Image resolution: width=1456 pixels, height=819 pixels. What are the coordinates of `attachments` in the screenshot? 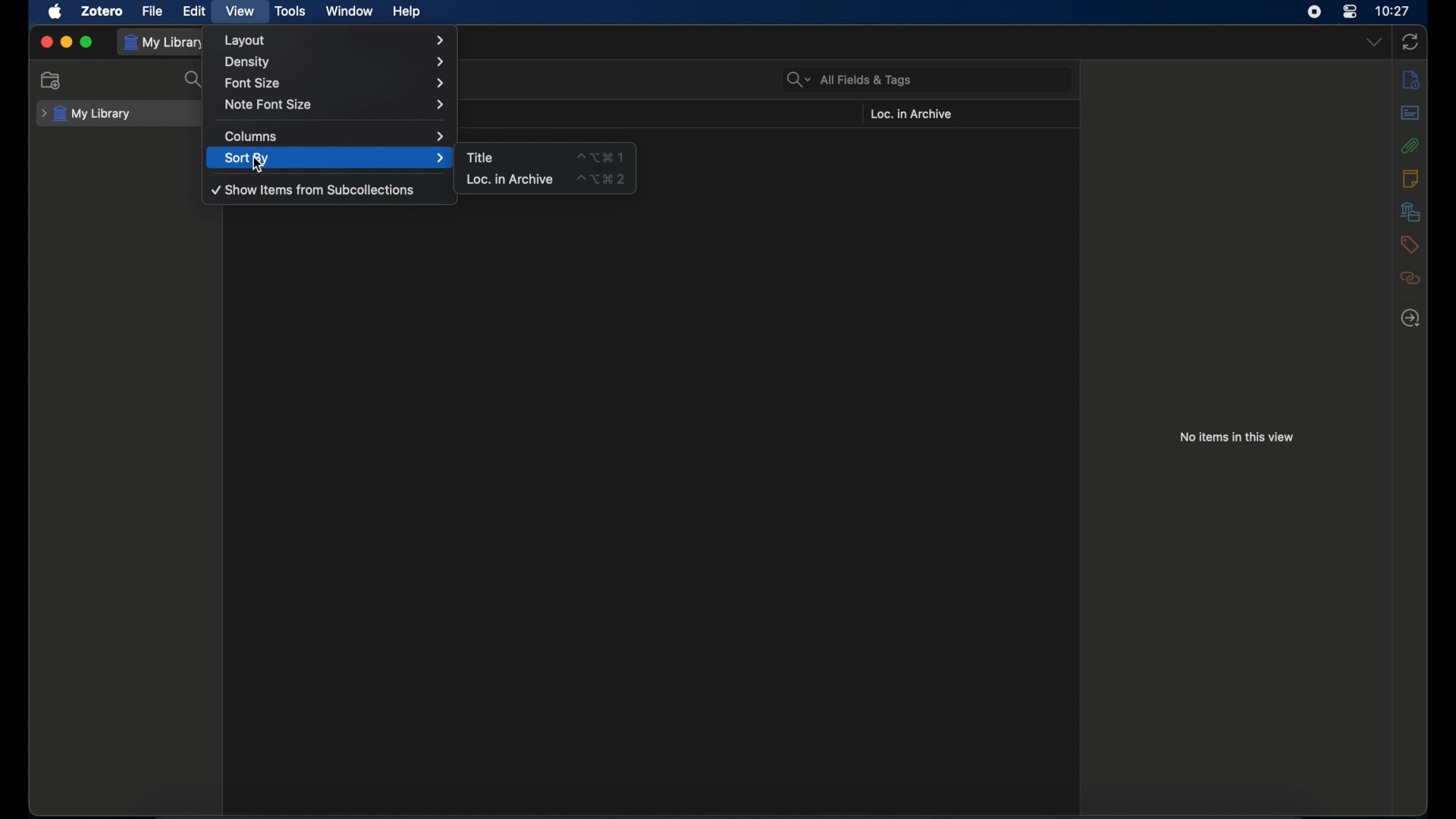 It's located at (1412, 146).